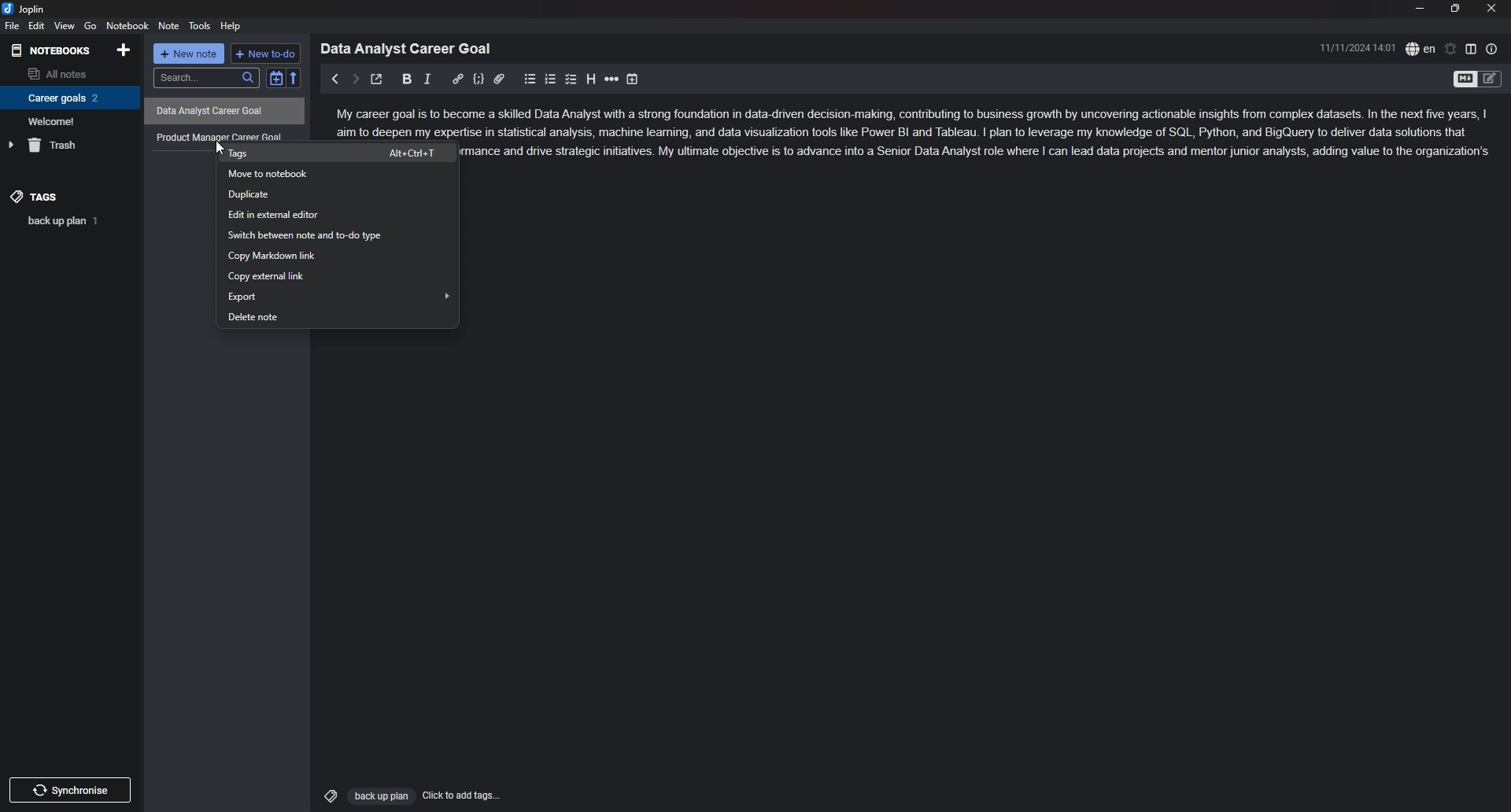  Describe the element at coordinates (380, 796) in the screenshot. I see `Back up plan` at that location.